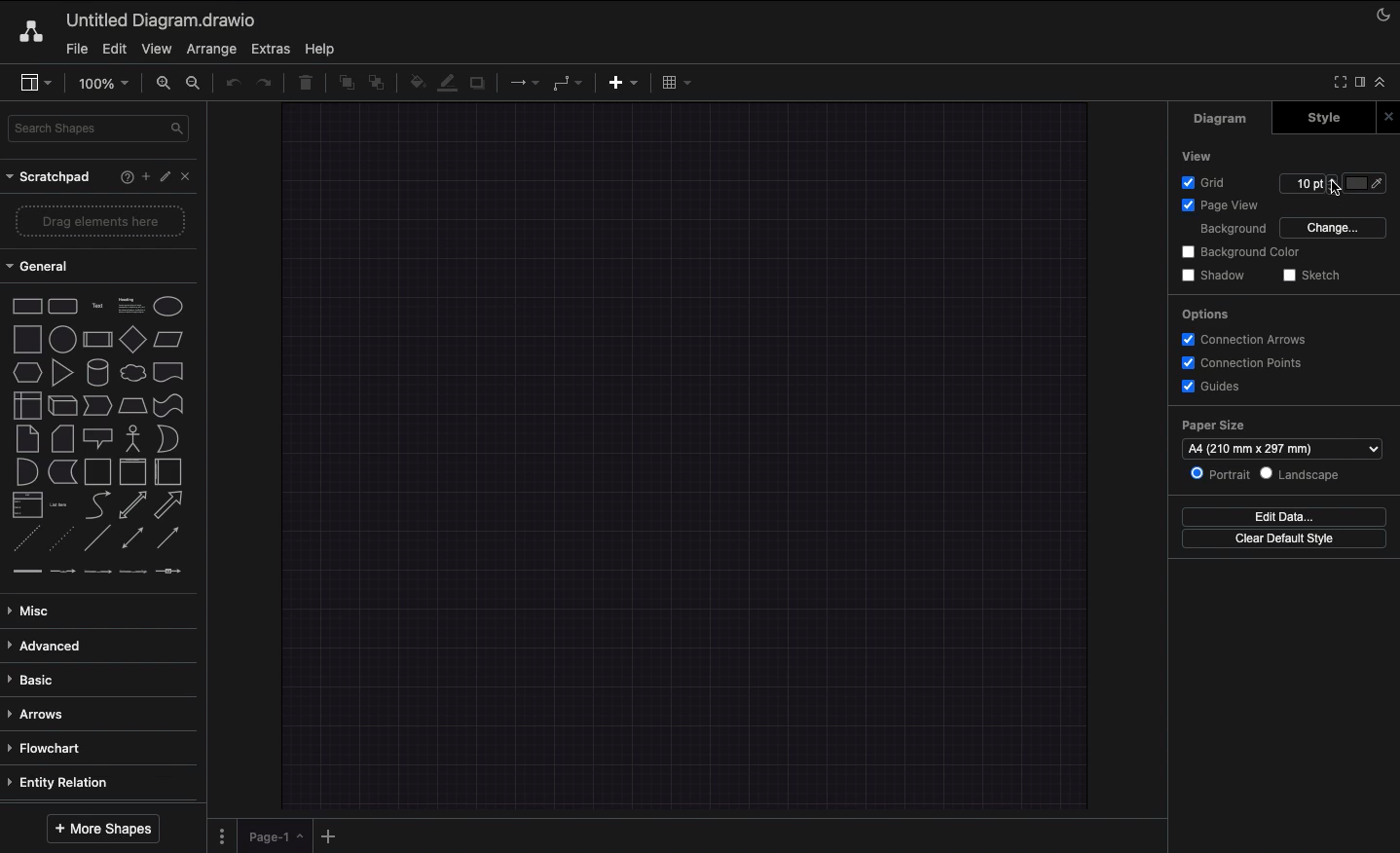  What do you see at coordinates (1222, 119) in the screenshot?
I see `Diagram` at bounding box center [1222, 119].